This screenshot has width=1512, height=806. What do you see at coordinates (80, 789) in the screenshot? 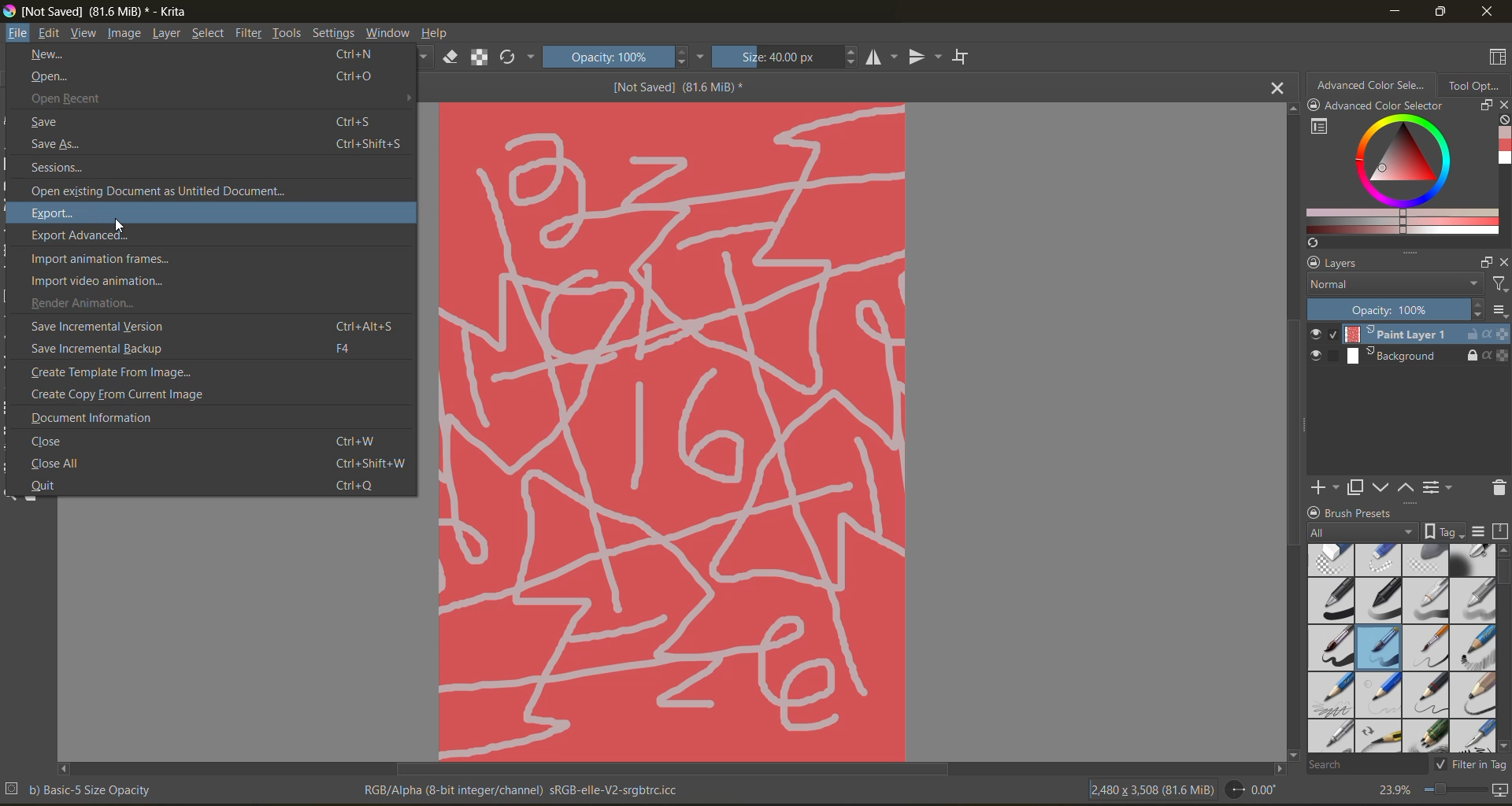
I see `metadata` at bounding box center [80, 789].